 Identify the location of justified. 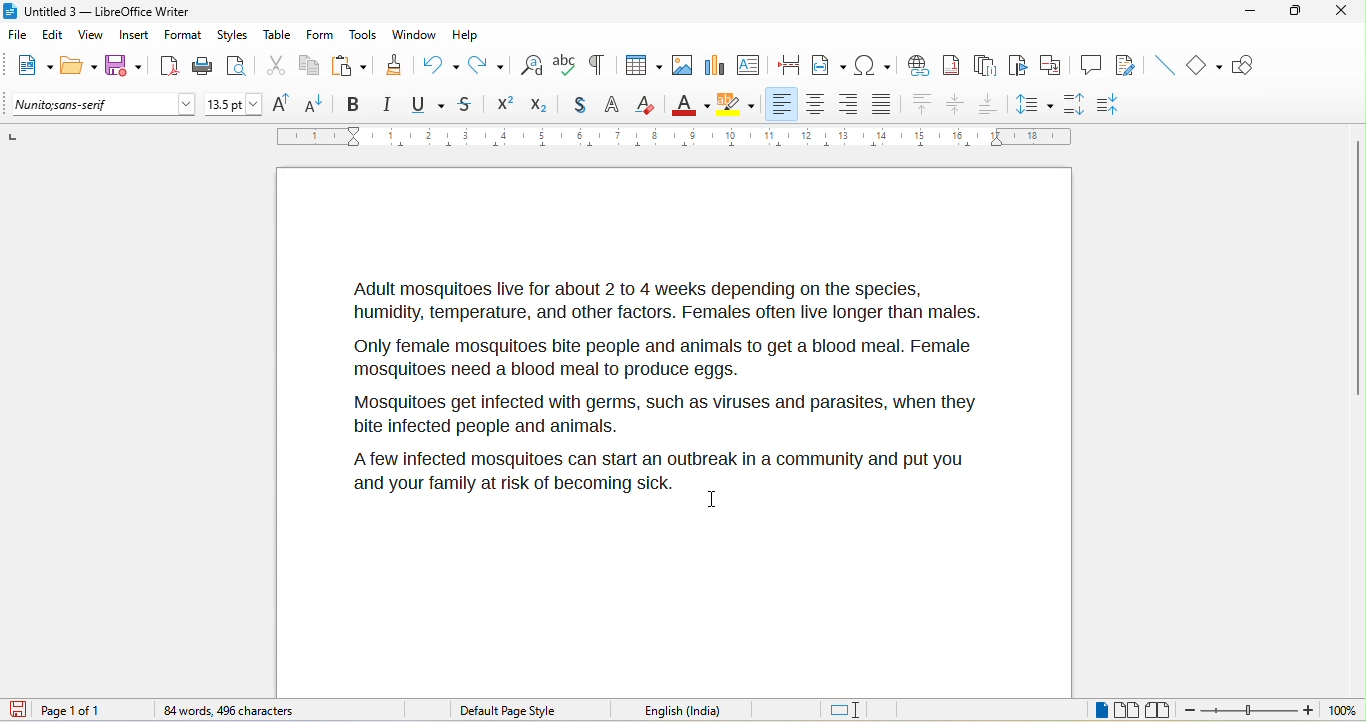
(885, 102).